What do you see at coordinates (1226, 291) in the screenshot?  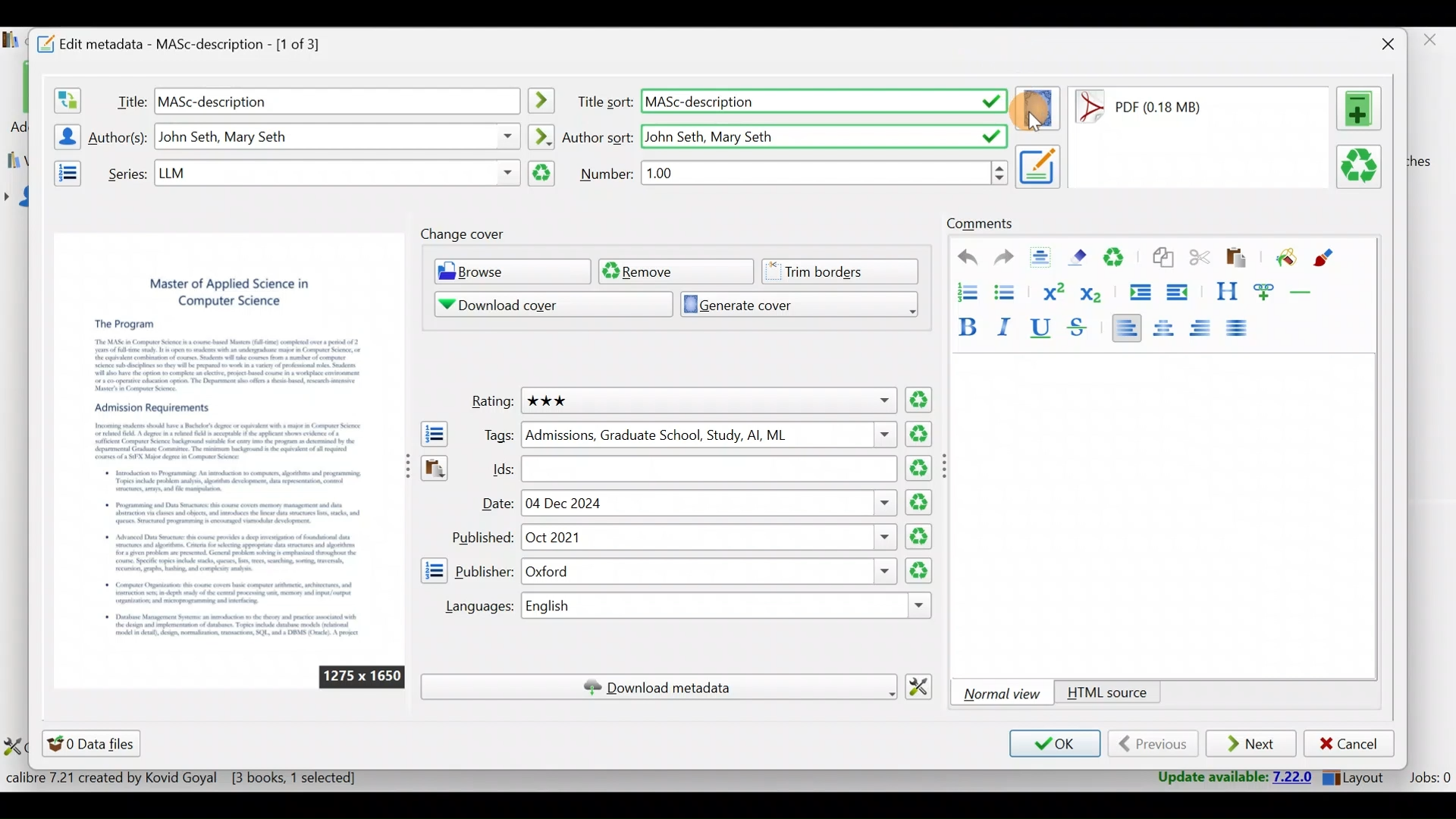 I see `Style` at bounding box center [1226, 291].